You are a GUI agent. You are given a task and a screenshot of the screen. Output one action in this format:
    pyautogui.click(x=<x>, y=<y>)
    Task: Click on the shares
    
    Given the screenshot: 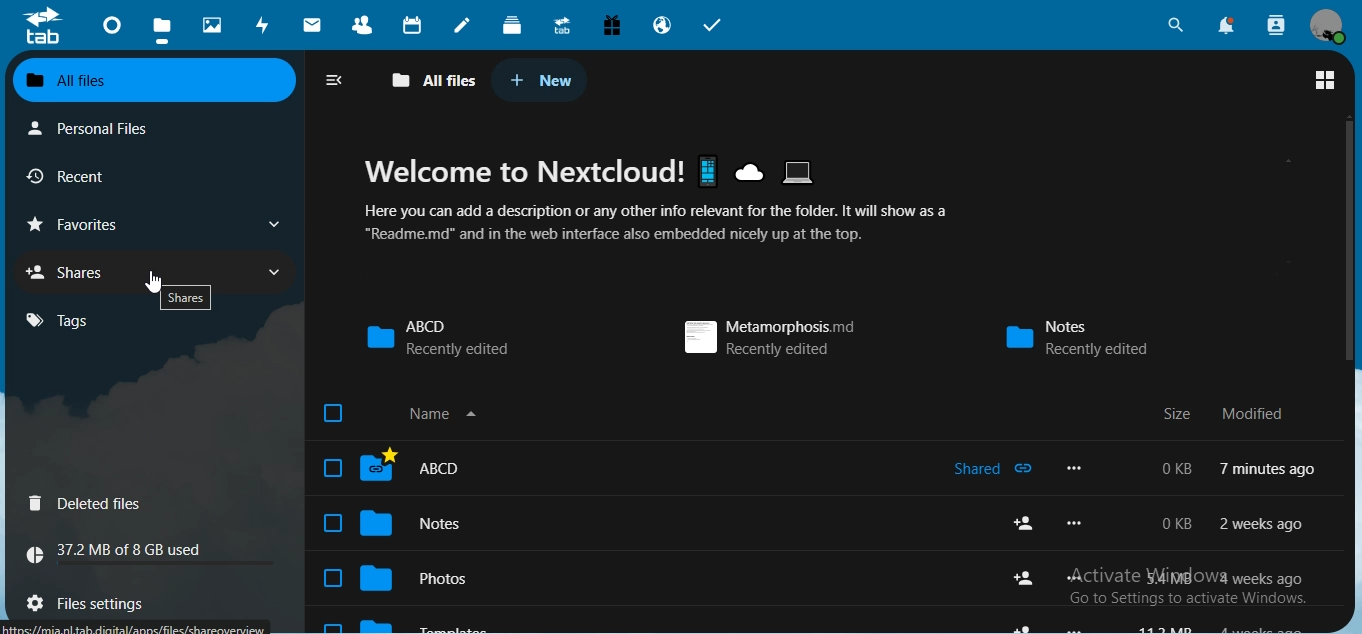 What is the action you would take?
    pyautogui.click(x=75, y=271)
    